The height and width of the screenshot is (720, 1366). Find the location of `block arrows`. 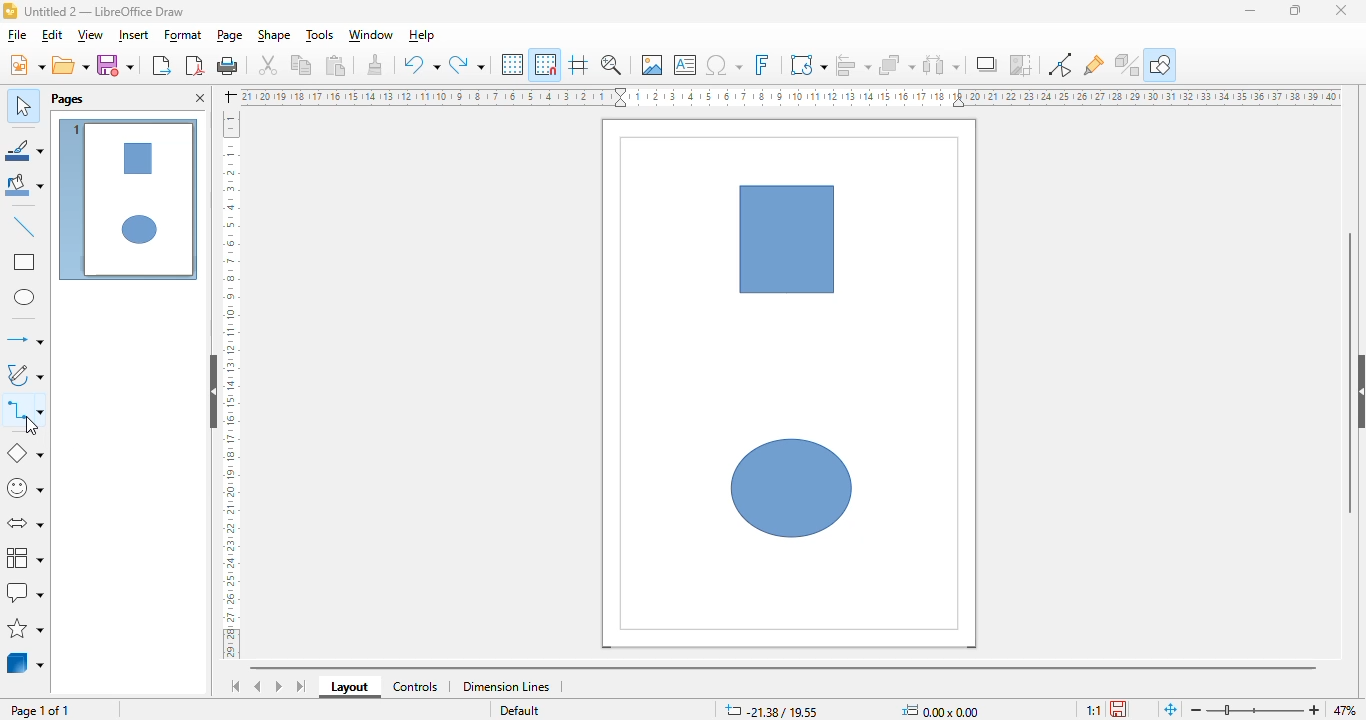

block arrows is located at coordinates (27, 523).